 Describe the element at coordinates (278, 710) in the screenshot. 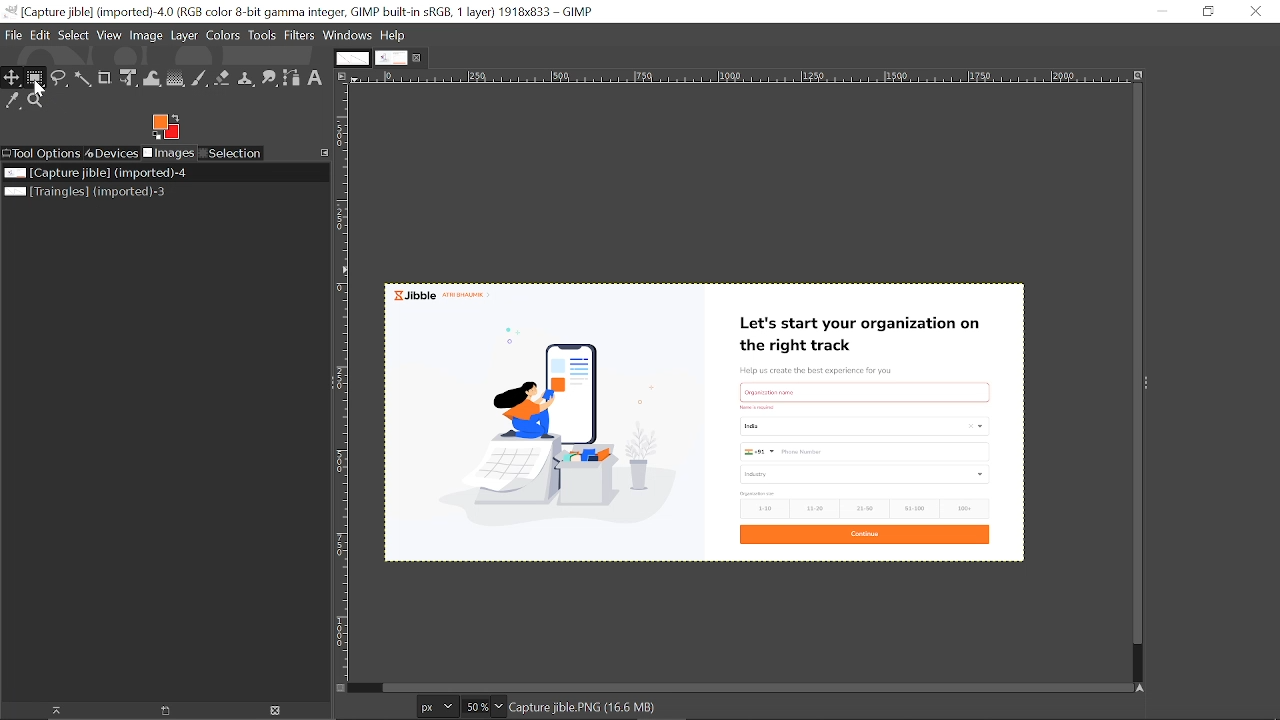

I see `Close image` at that location.